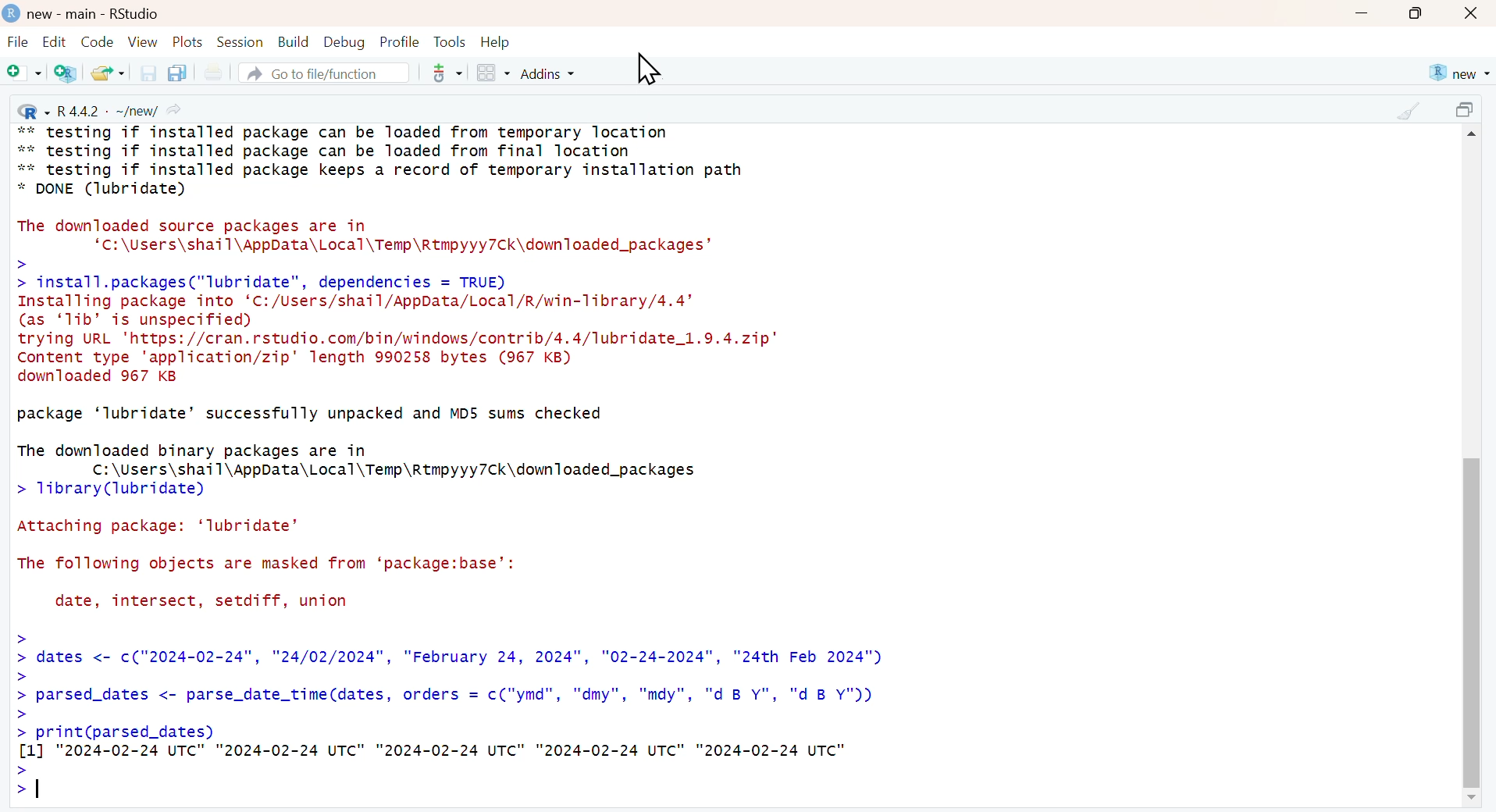 This screenshot has height=812, width=1496. What do you see at coordinates (107, 72) in the screenshot?
I see `open an existing file` at bounding box center [107, 72].